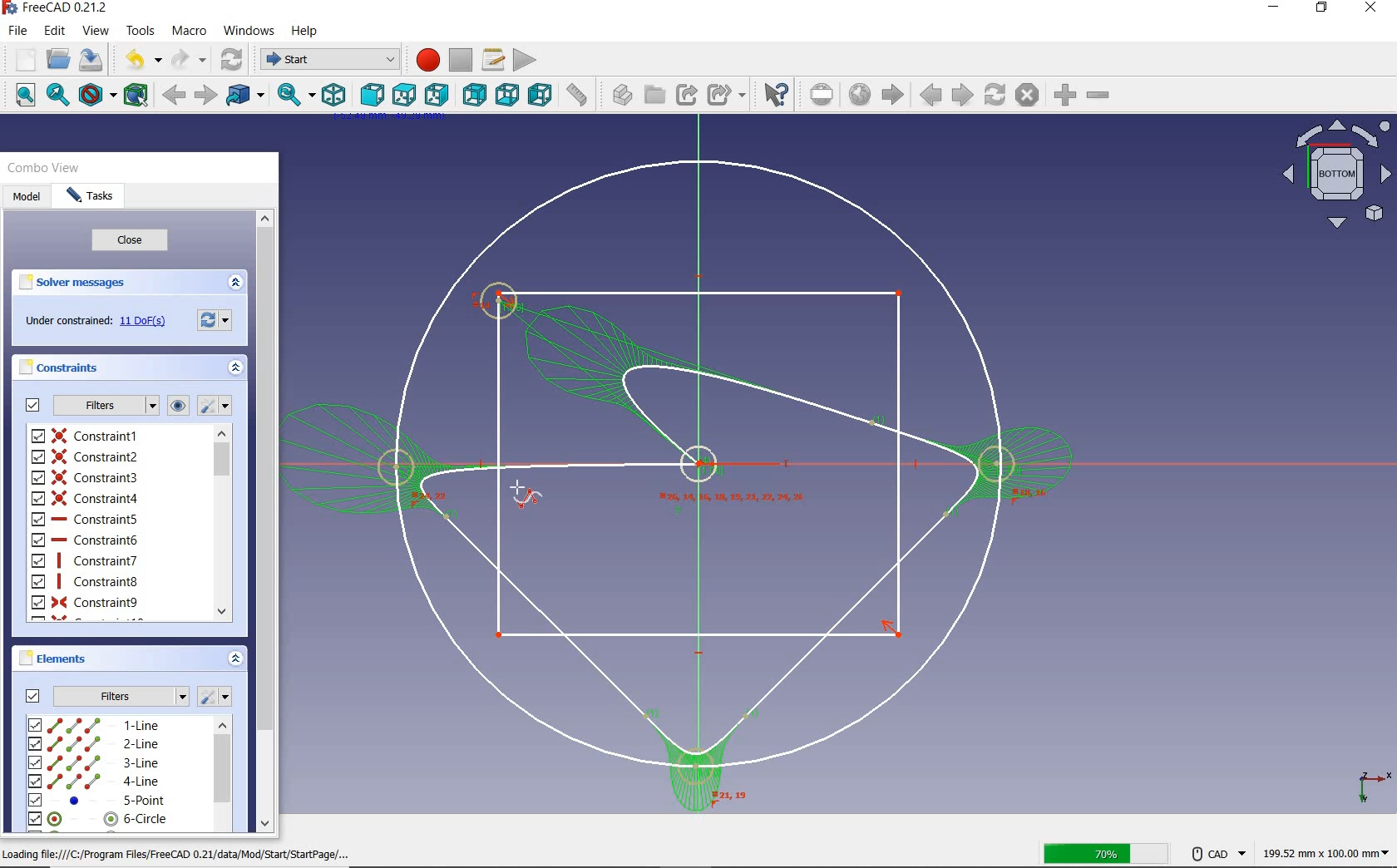  What do you see at coordinates (522, 494) in the screenshot?
I see `CURSOR POSITION AFTER SAVING` at bounding box center [522, 494].